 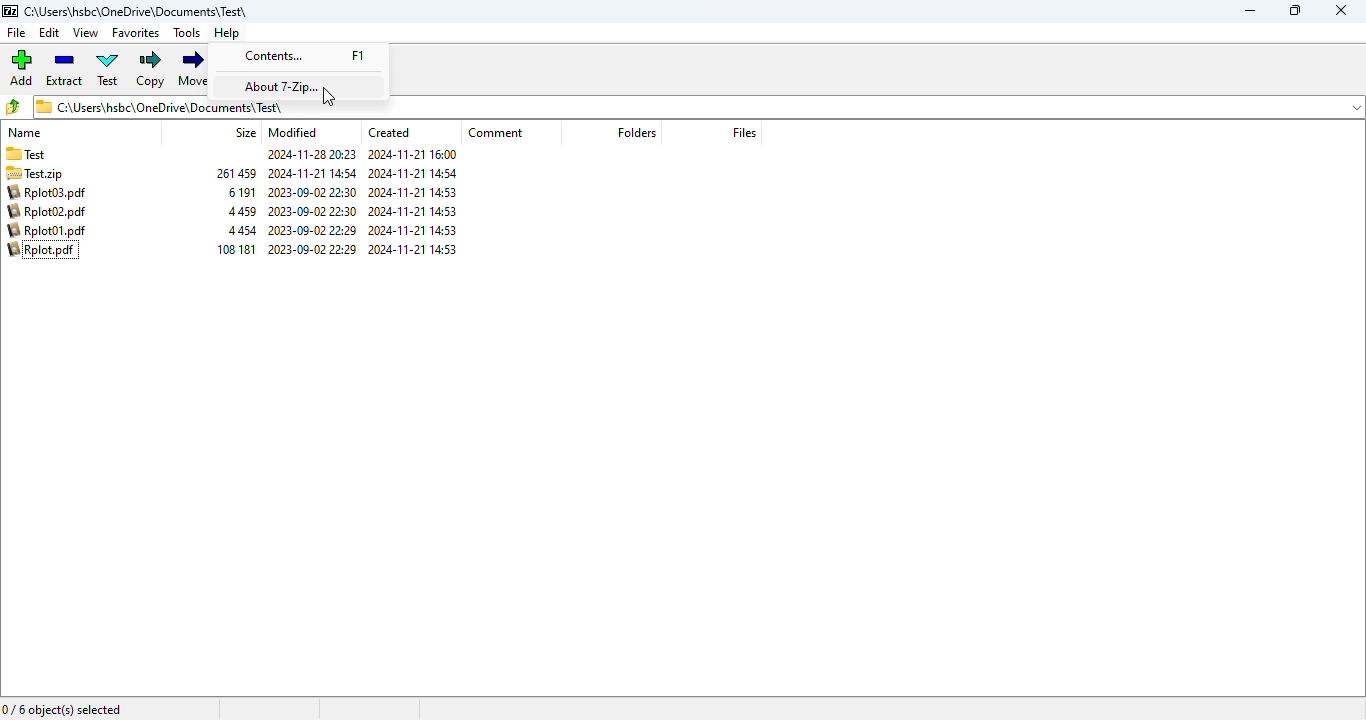 I want to click on 2024-11-21 14:53, so click(x=414, y=212).